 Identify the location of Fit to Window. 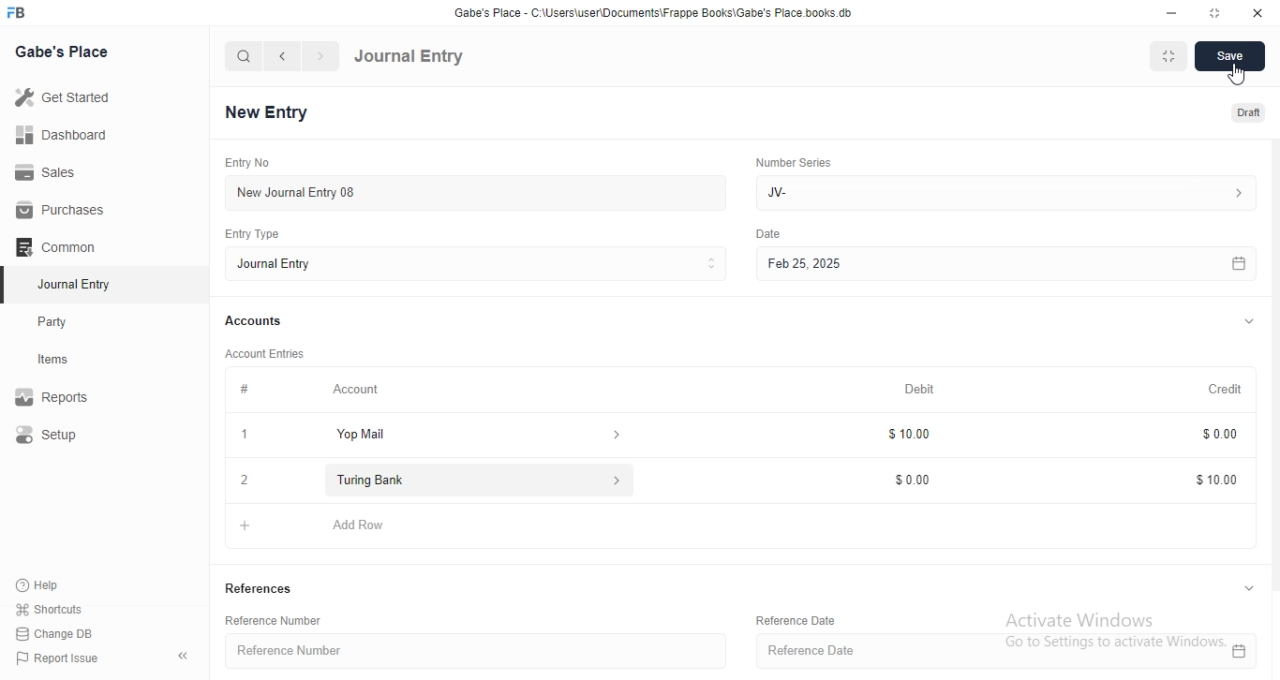
(1170, 56).